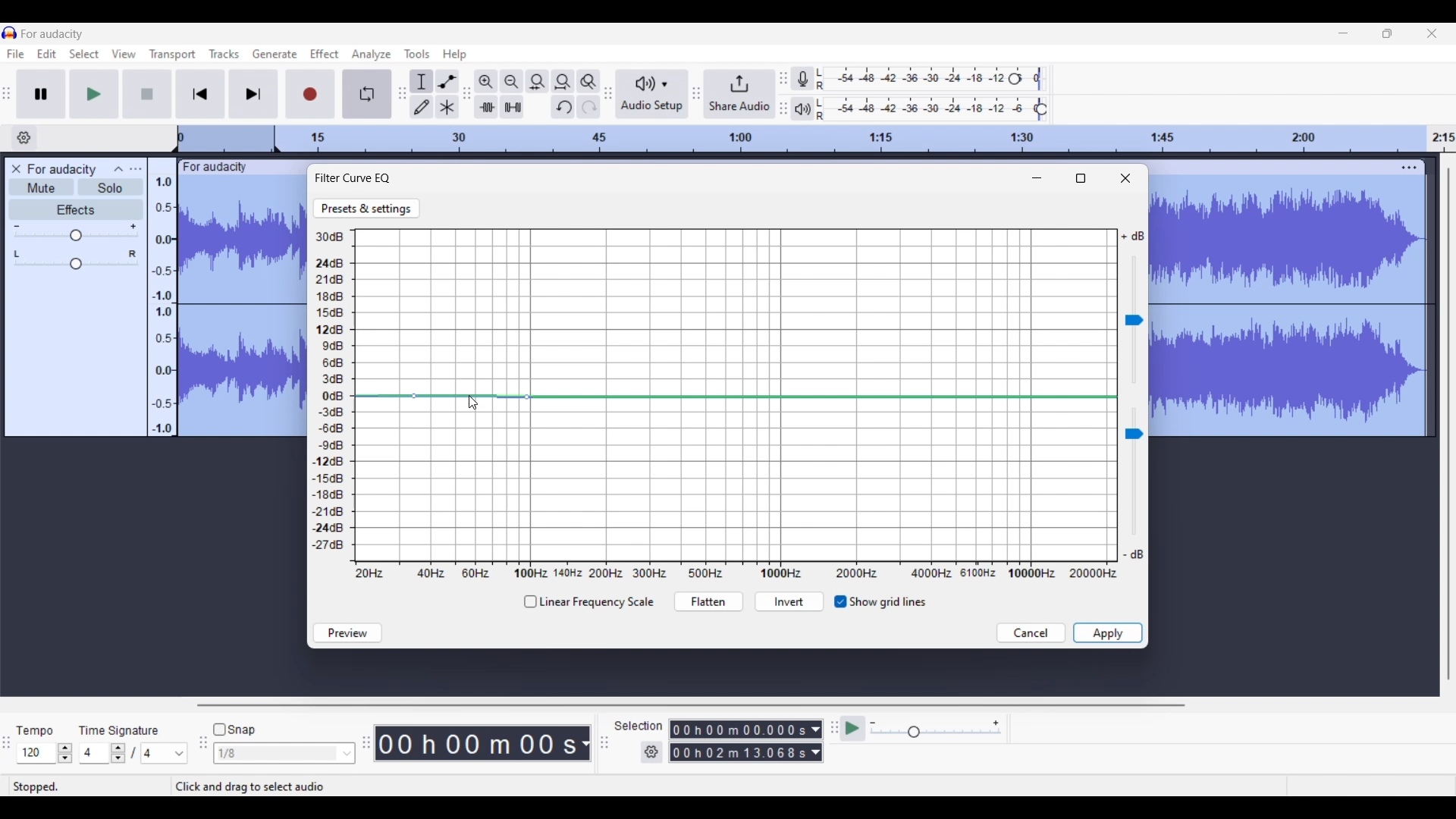 The width and height of the screenshot is (1456, 819). Describe the element at coordinates (348, 754) in the screenshot. I see `Snap option` at that location.